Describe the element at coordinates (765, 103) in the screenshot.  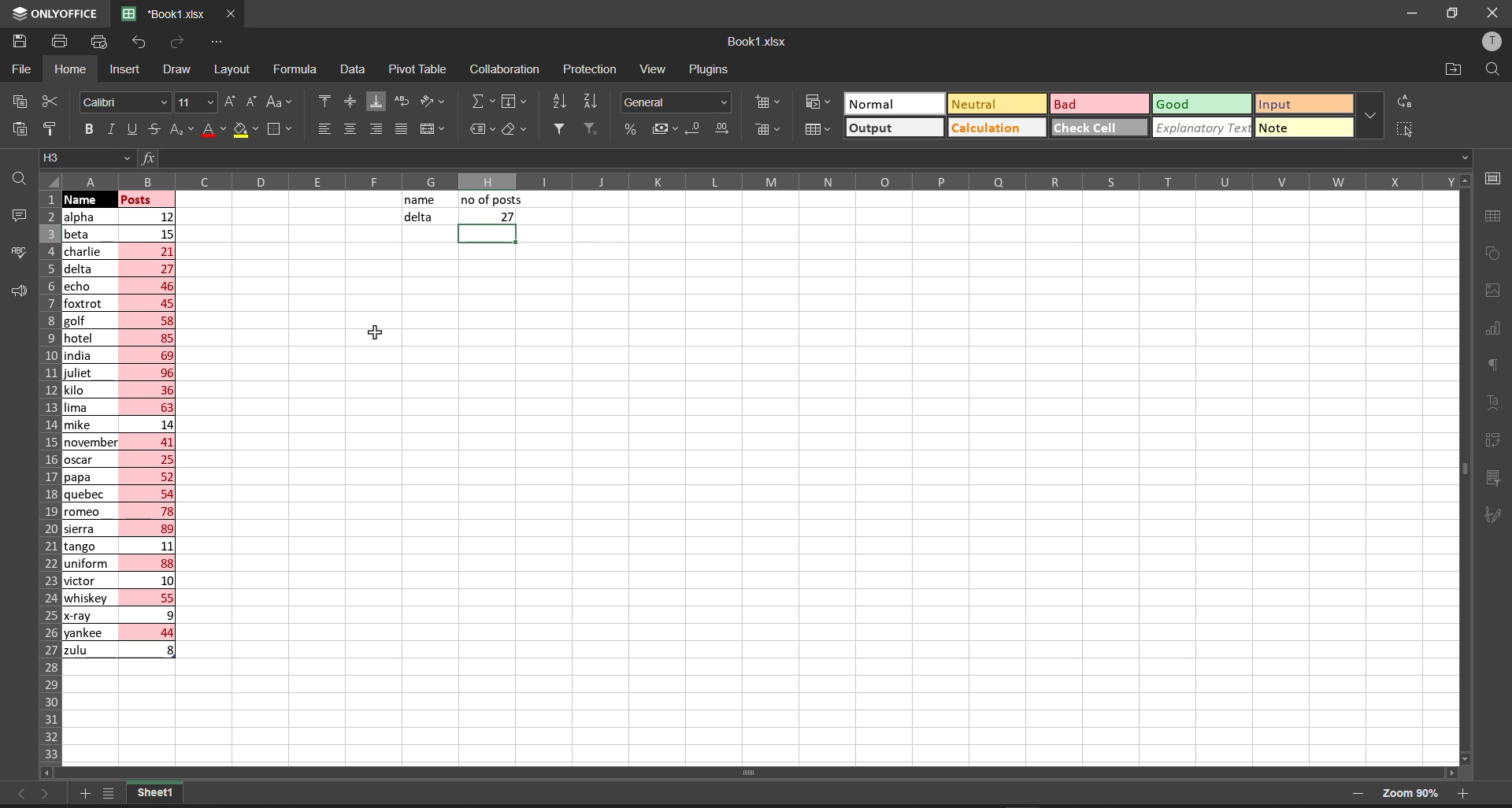
I see `insert cells` at that location.